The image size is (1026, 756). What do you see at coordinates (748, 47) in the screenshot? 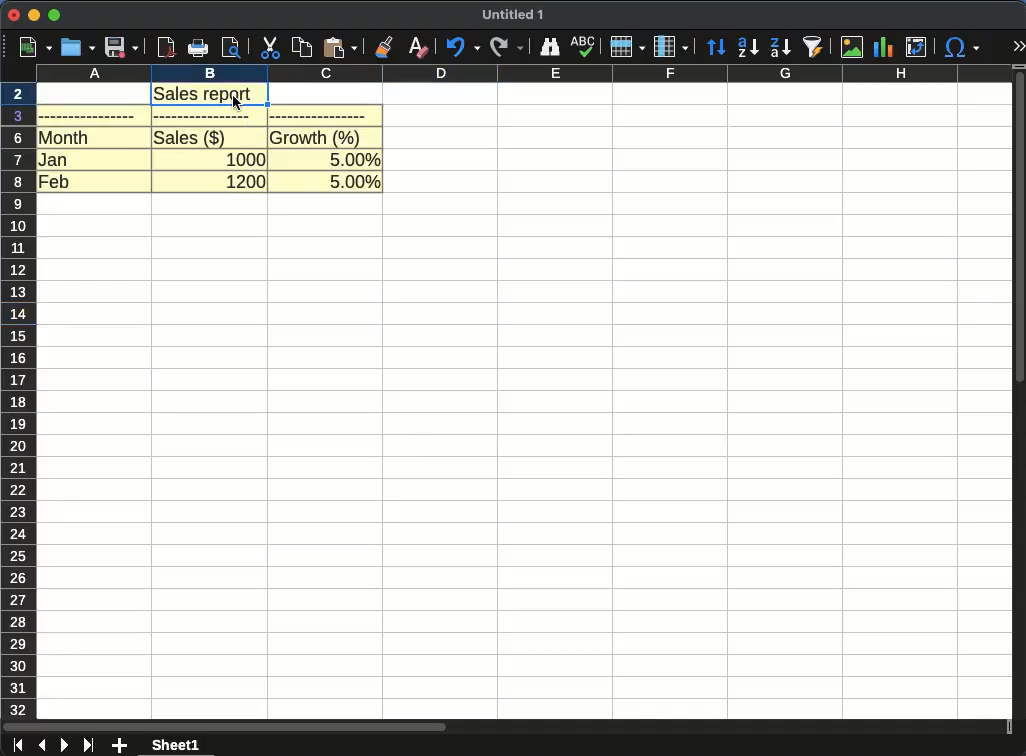
I see `ascending` at bounding box center [748, 47].